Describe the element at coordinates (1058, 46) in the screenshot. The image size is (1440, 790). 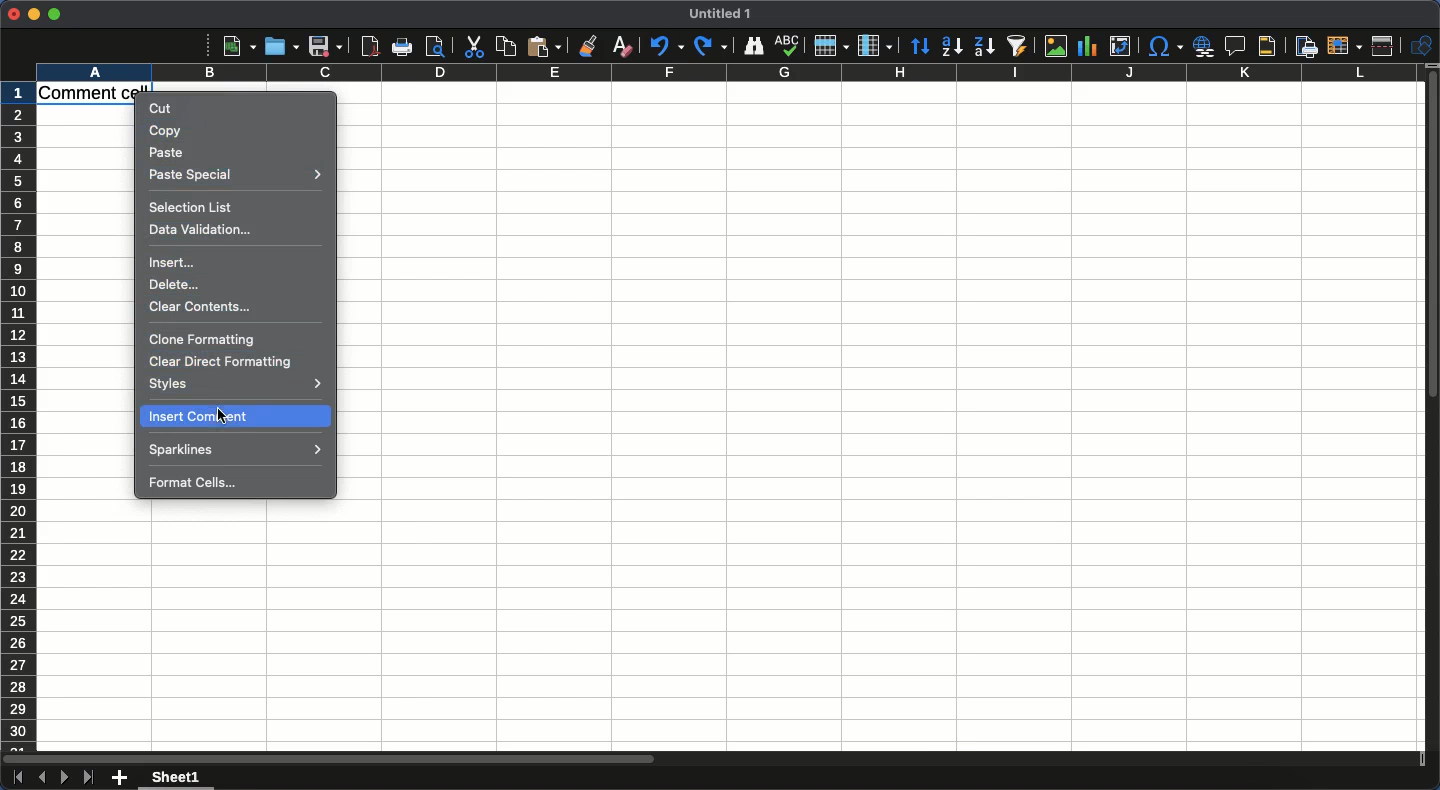
I see `Image` at that location.